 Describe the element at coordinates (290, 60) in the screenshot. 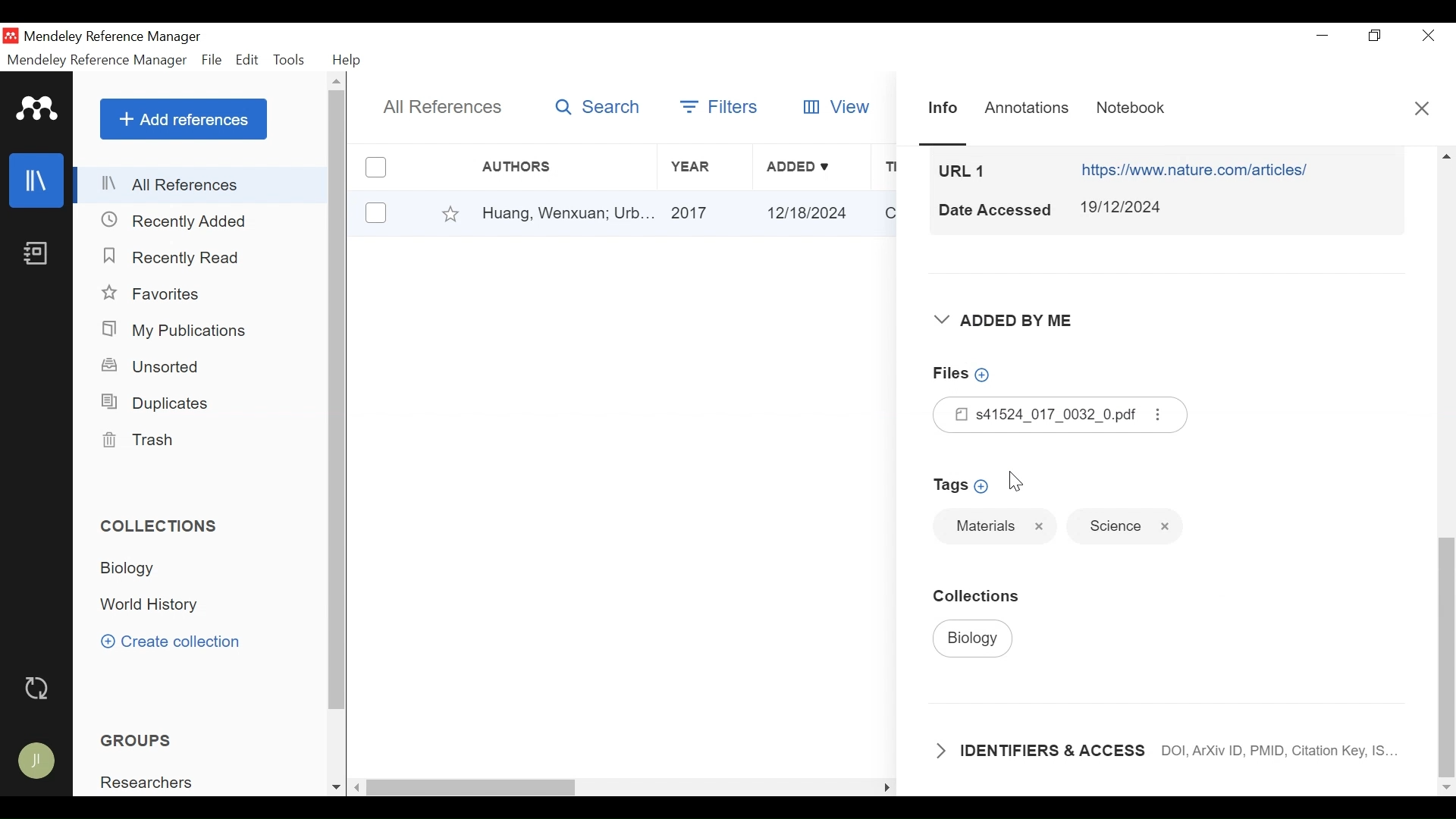

I see `Tools` at that location.